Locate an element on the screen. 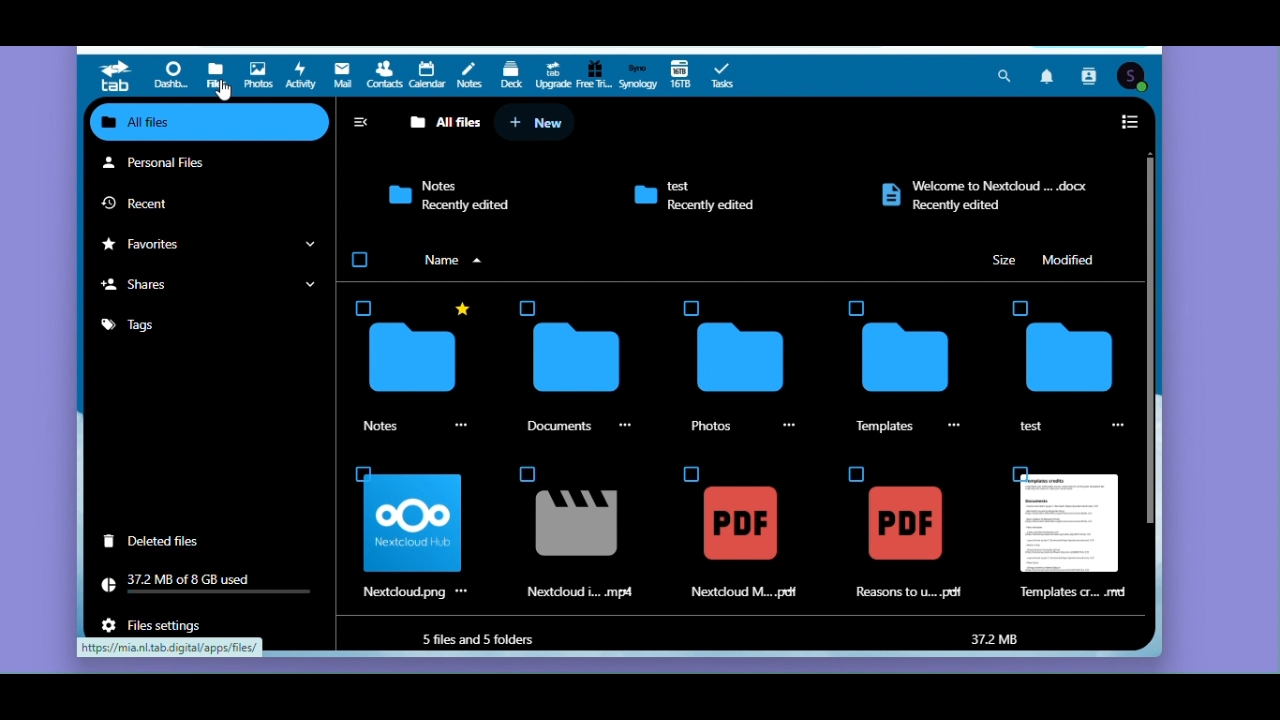 The width and height of the screenshot is (1280, 720). Notifications is located at coordinates (1044, 78).